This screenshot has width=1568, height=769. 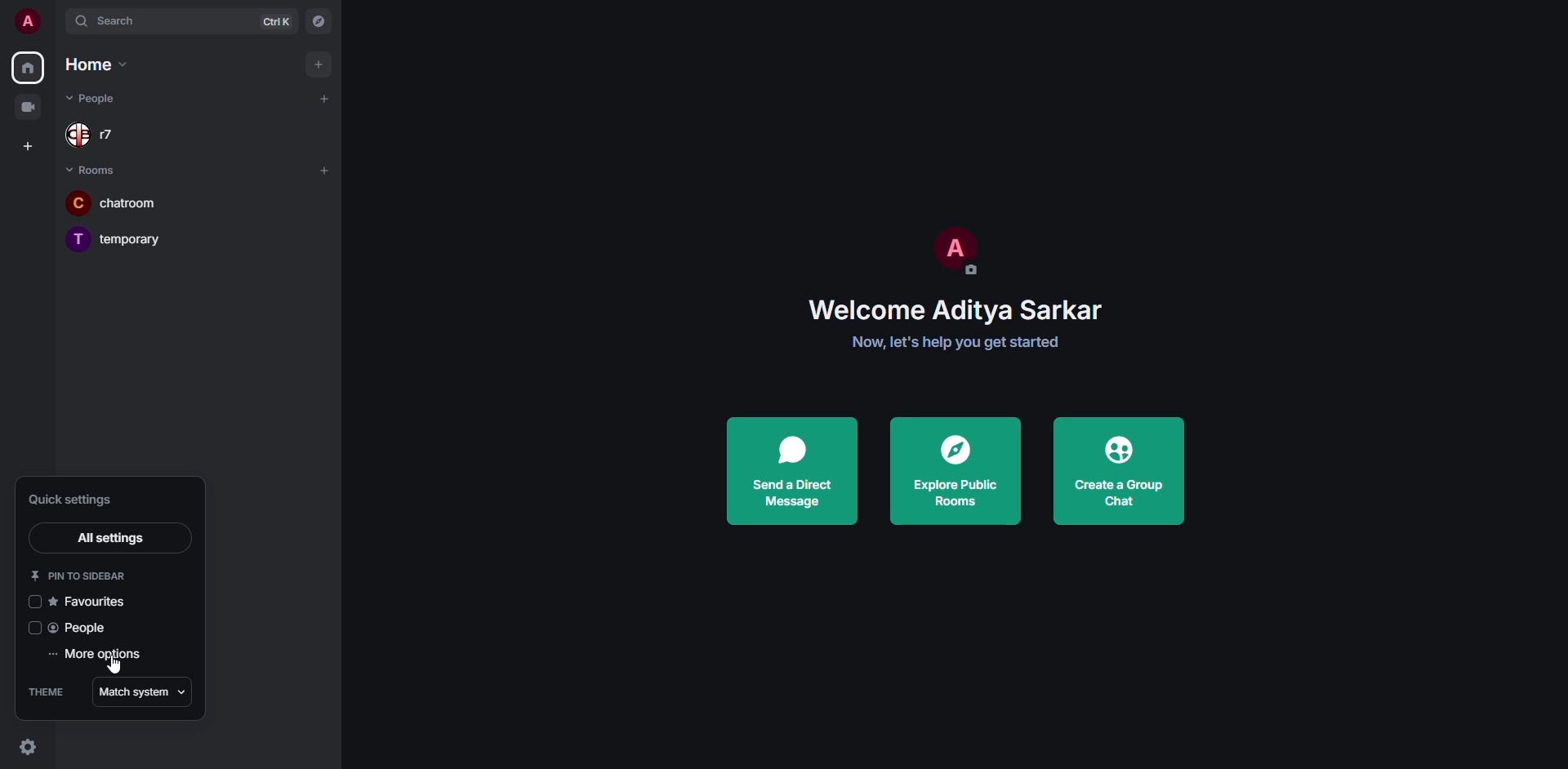 I want to click on click to enable, so click(x=36, y=601).